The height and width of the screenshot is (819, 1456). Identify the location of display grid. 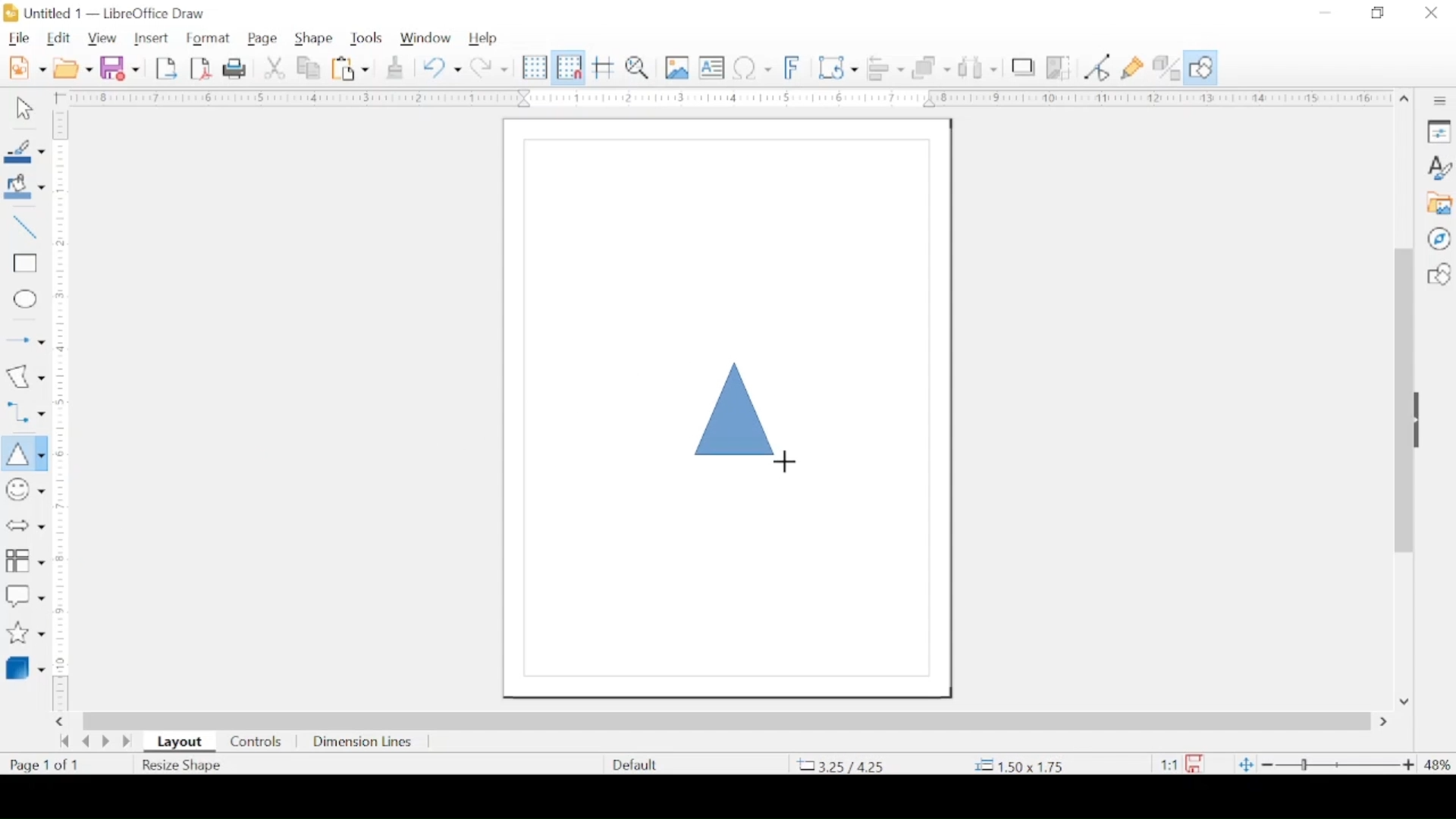
(535, 67).